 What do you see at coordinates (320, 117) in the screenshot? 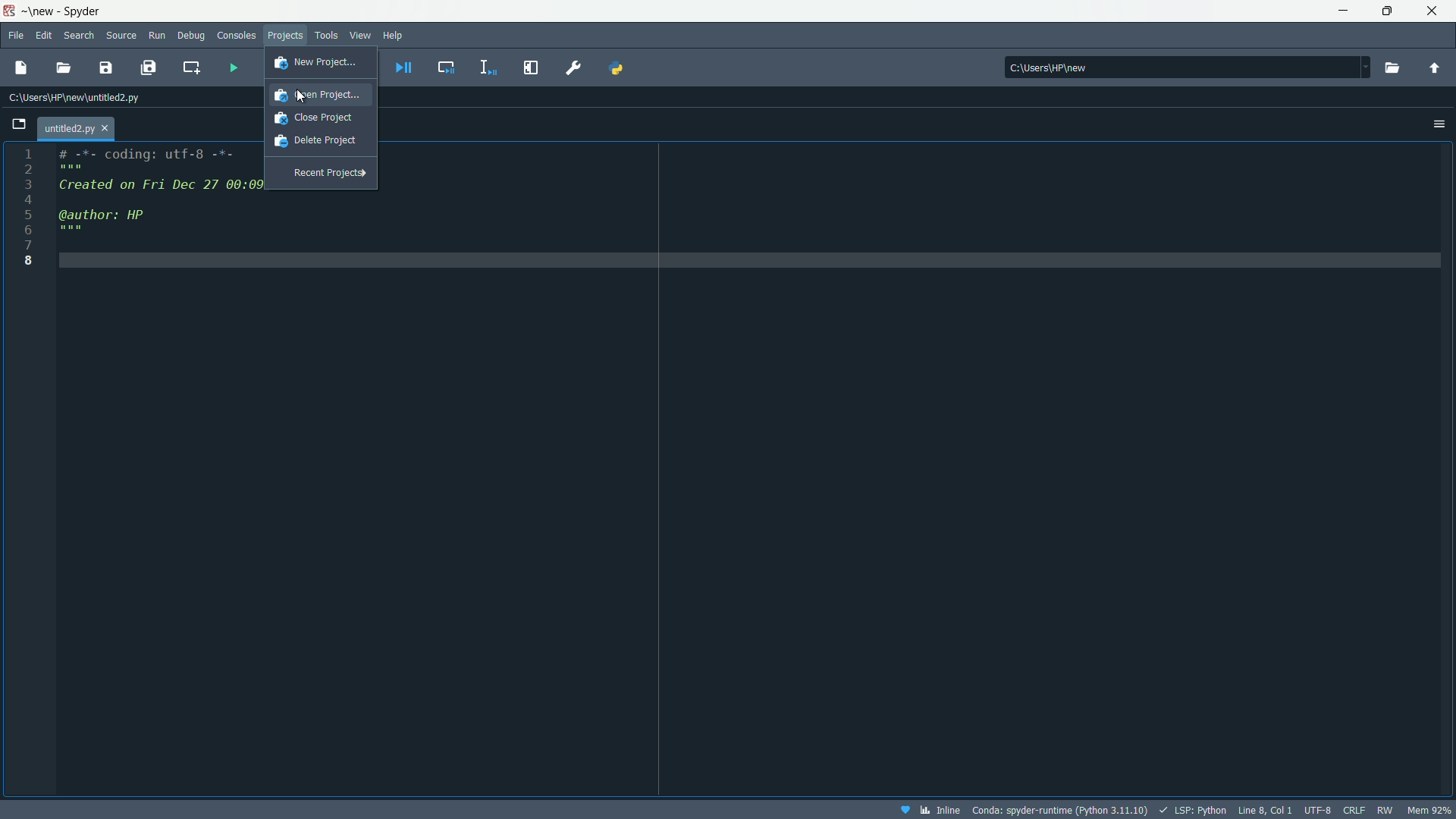
I see `close project` at bounding box center [320, 117].